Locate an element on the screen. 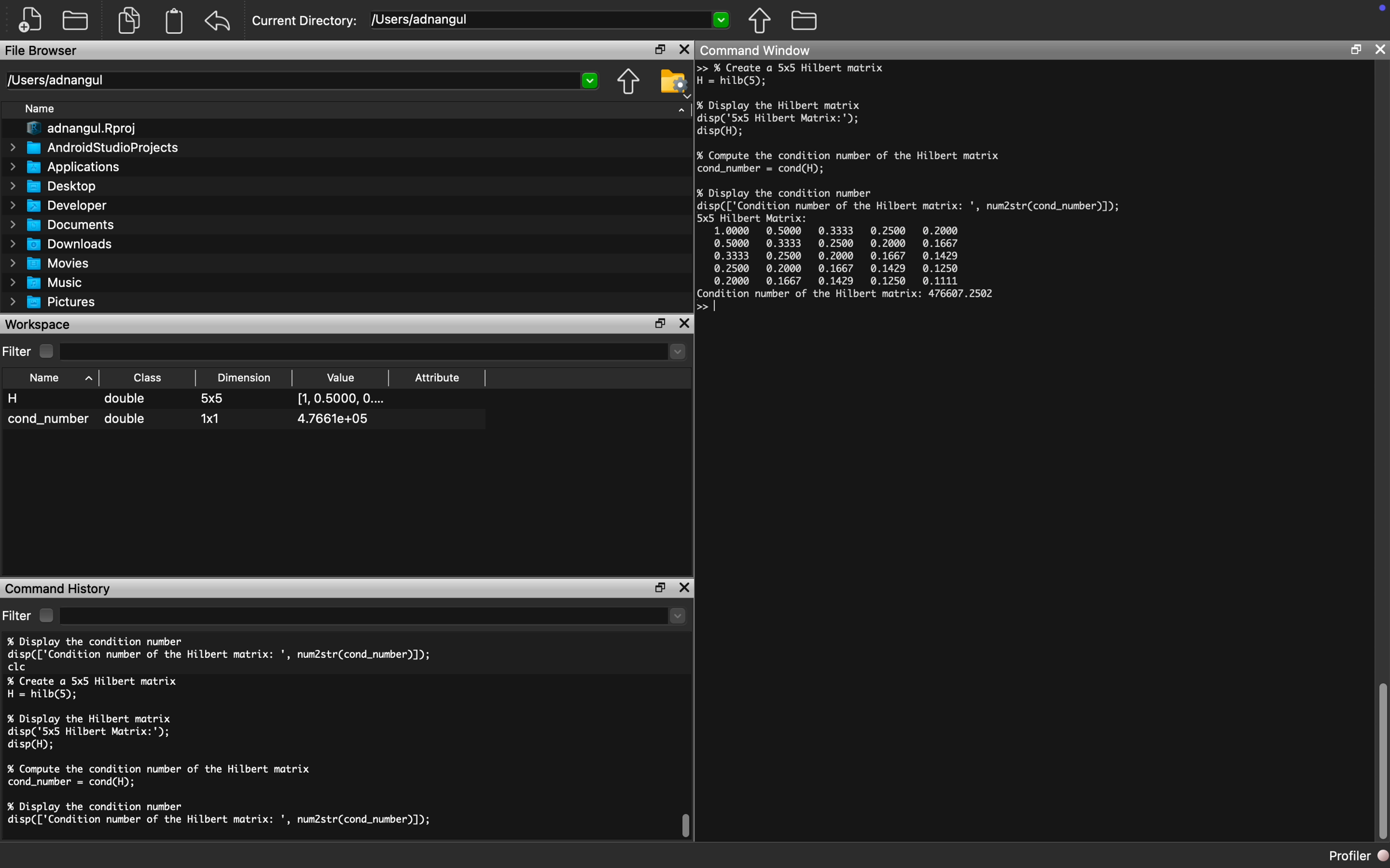 The width and height of the screenshot is (1390, 868). Clipboard is located at coordinates (175, 20).